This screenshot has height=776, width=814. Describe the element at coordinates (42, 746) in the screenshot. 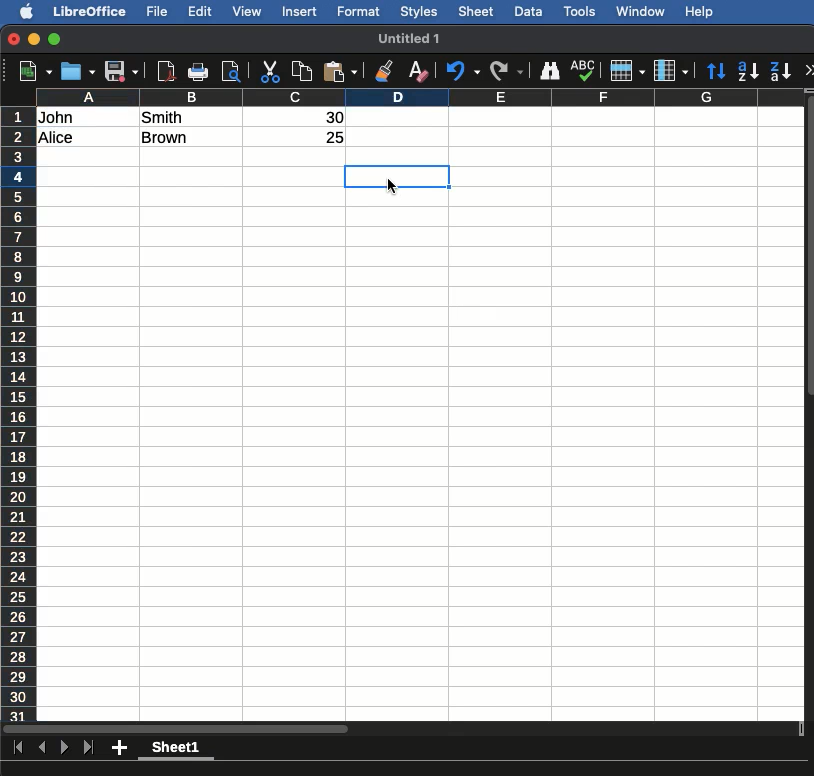

I see `Previous sheet` at that location.